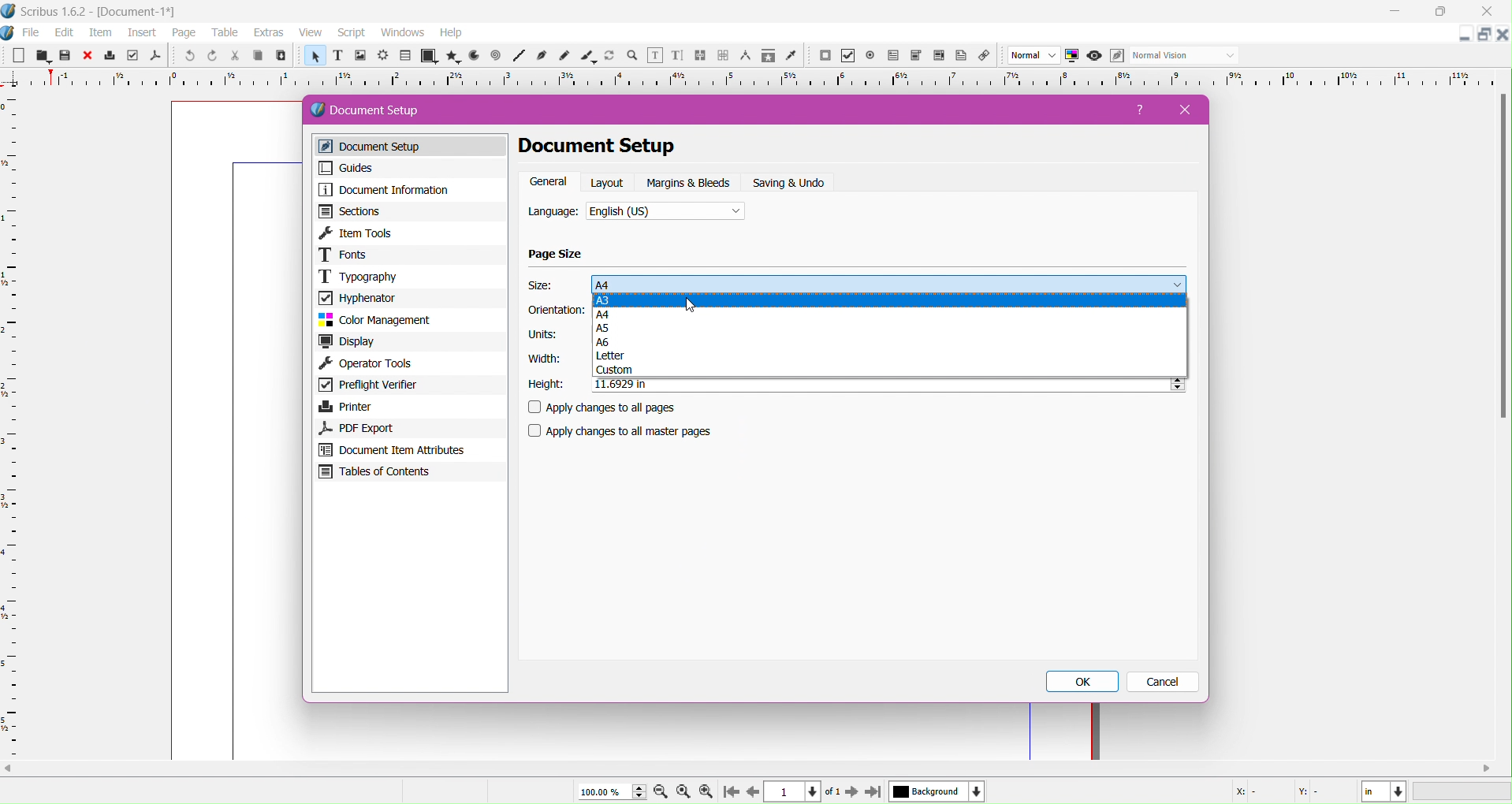 The width and height of the screenshot is (1512, 804). I want to click on eye dropper, so click(795, 57).